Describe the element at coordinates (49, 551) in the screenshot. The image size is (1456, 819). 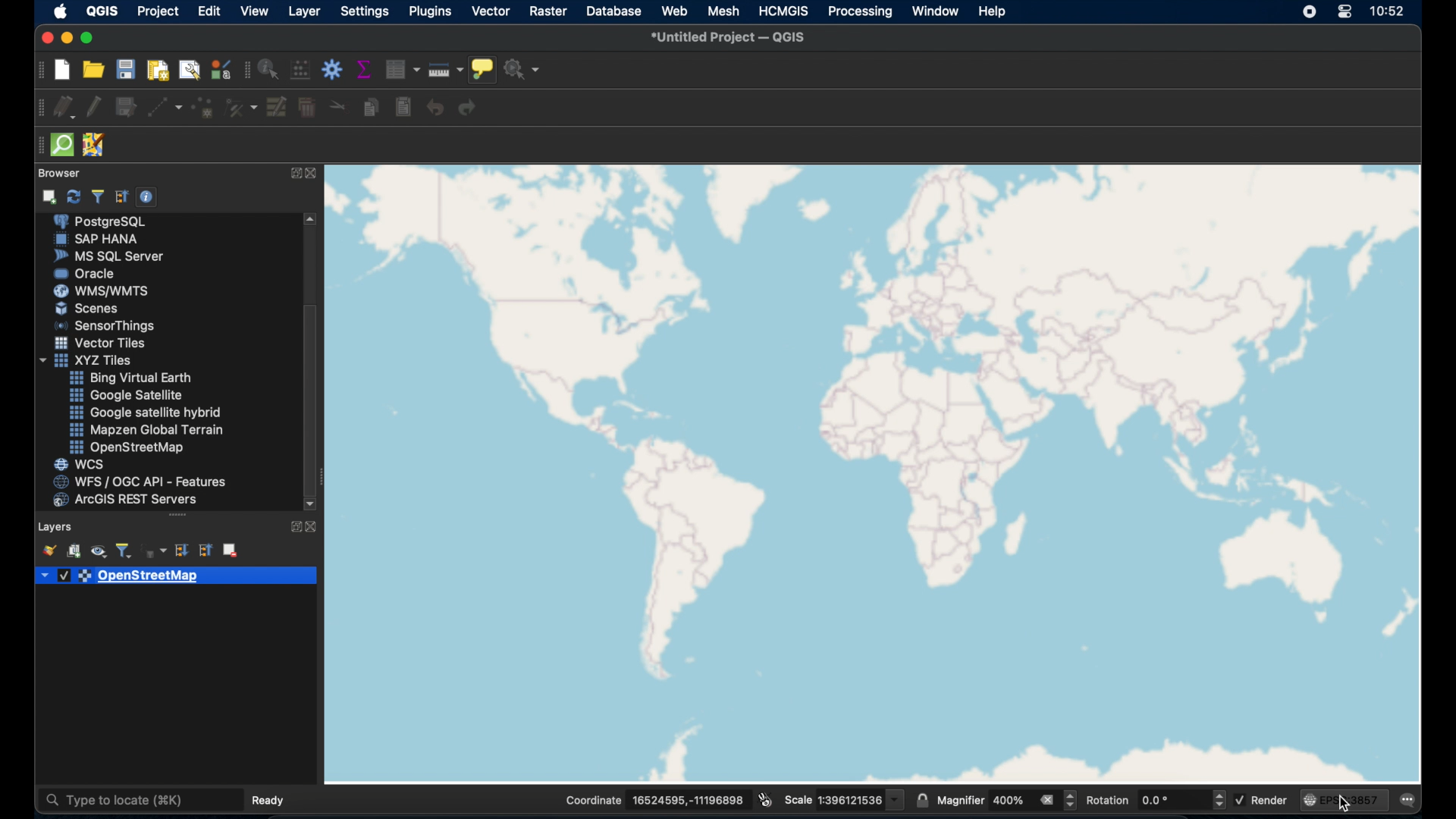
I see `open layerstyling panel` at that location.